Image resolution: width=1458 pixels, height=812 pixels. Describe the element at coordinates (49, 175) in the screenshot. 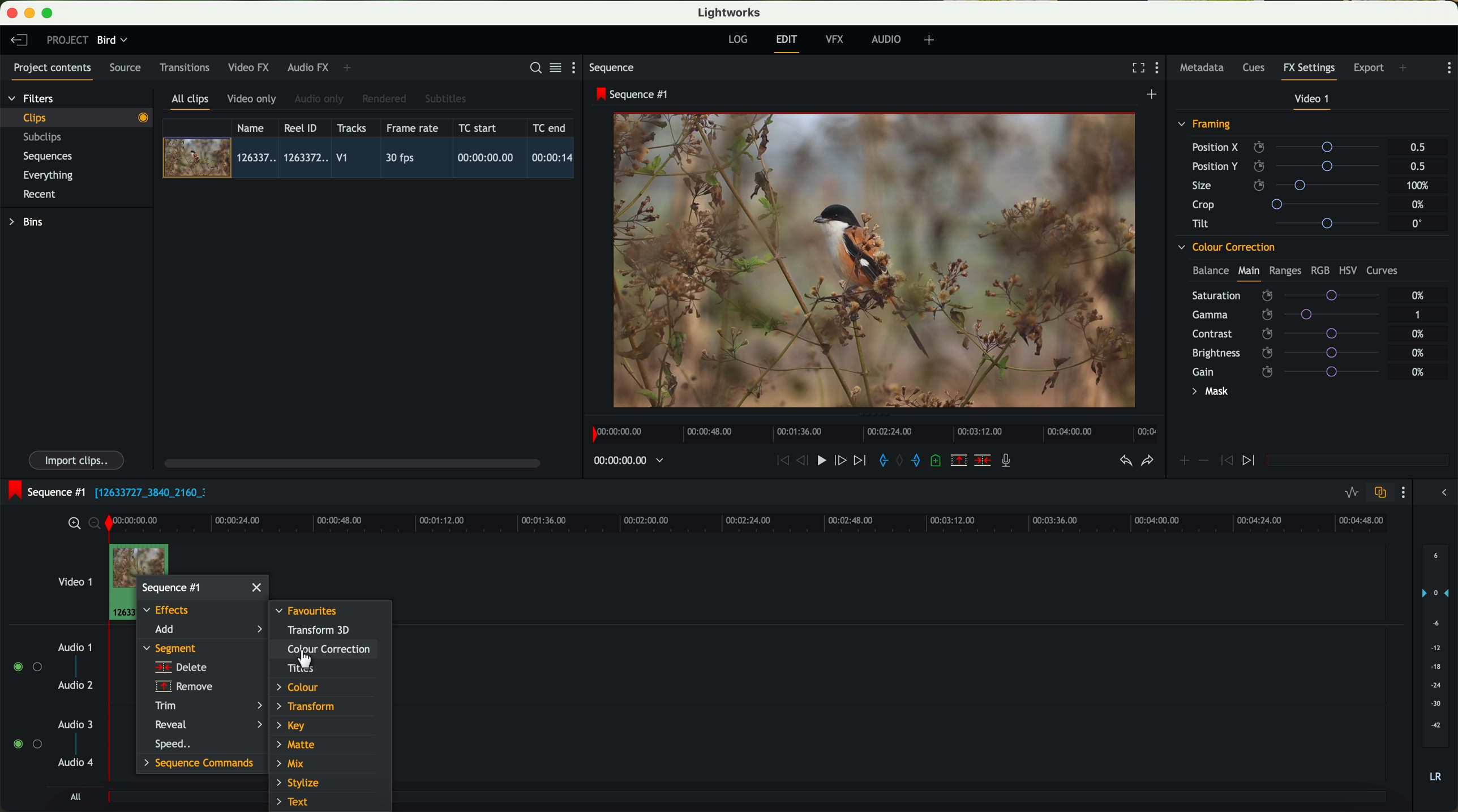

I see `everything` at that location.